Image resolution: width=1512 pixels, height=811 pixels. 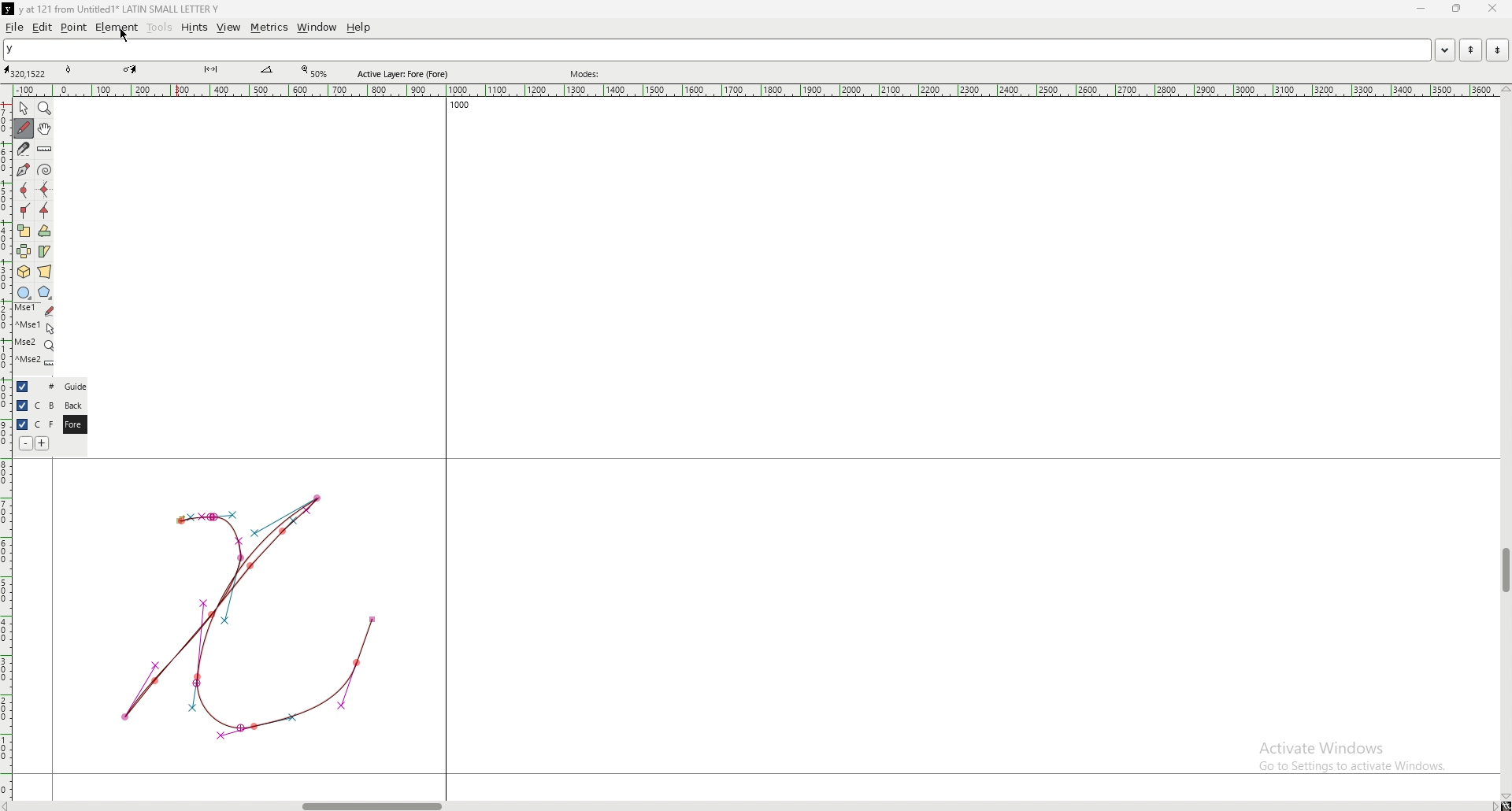 I want to click on mse 2, so click(x=34, y=344).